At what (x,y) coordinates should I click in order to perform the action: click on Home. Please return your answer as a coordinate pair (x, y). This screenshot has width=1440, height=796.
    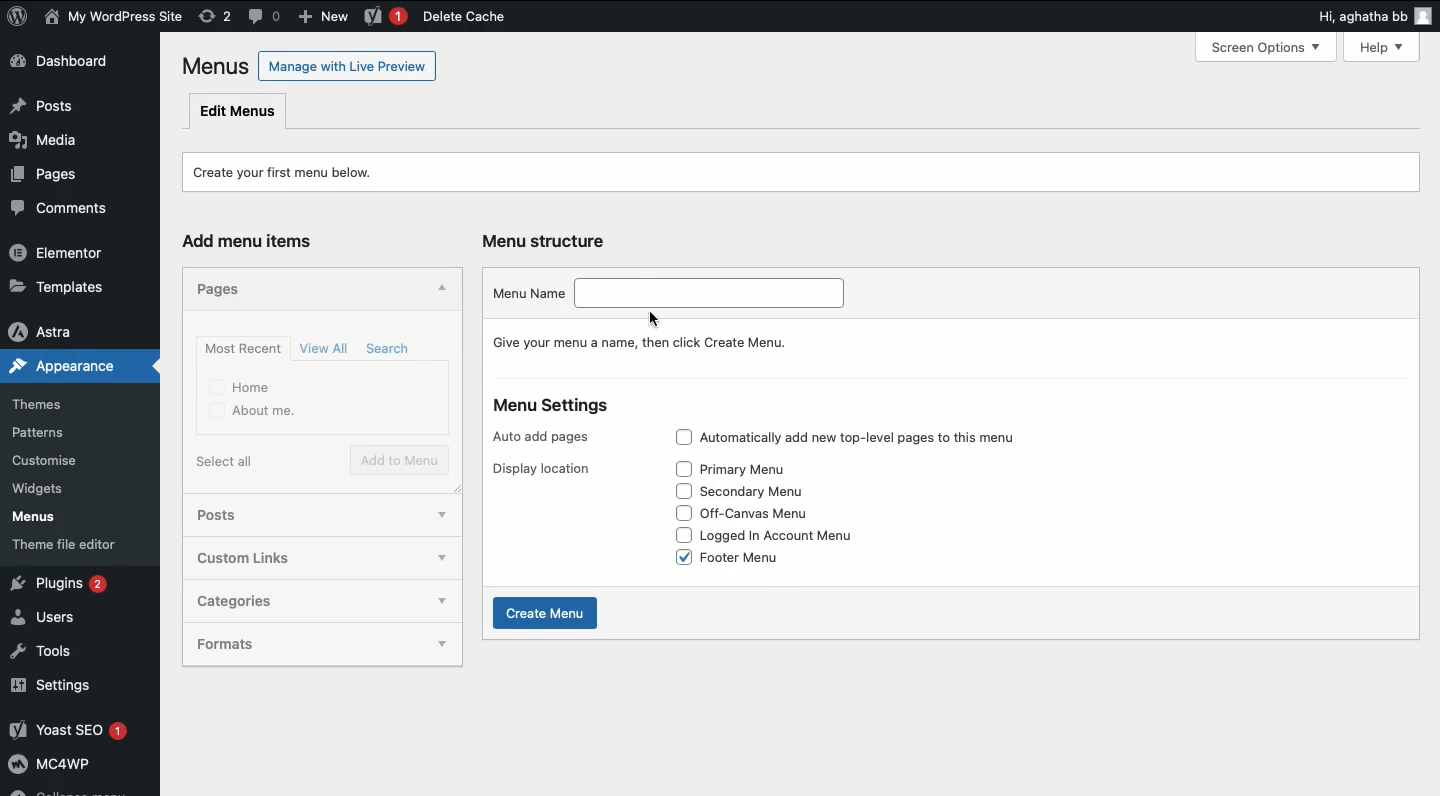
    Looking at the image, I should click on (240, 386).